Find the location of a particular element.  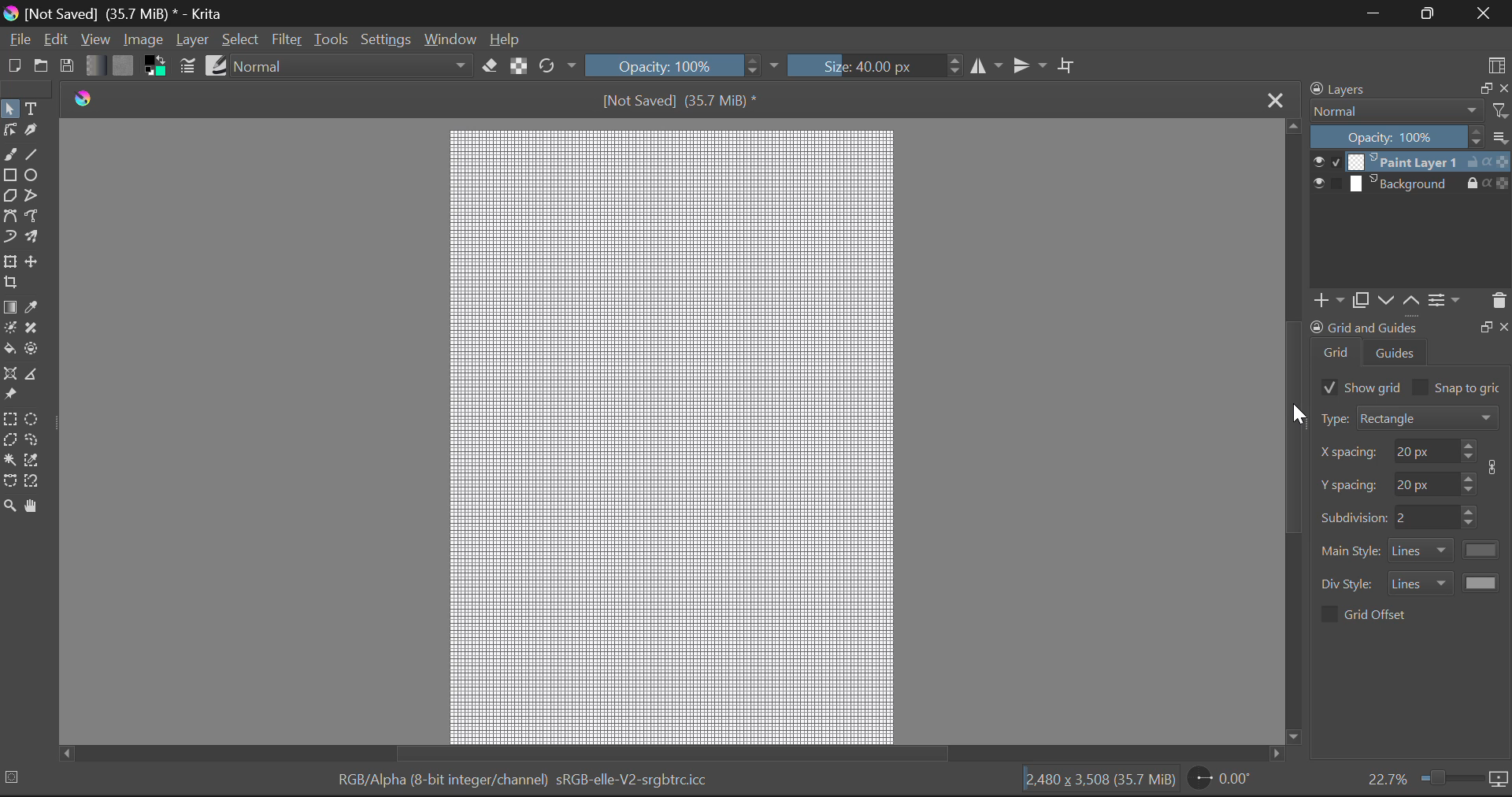

File is located at coordinates (19, 40).